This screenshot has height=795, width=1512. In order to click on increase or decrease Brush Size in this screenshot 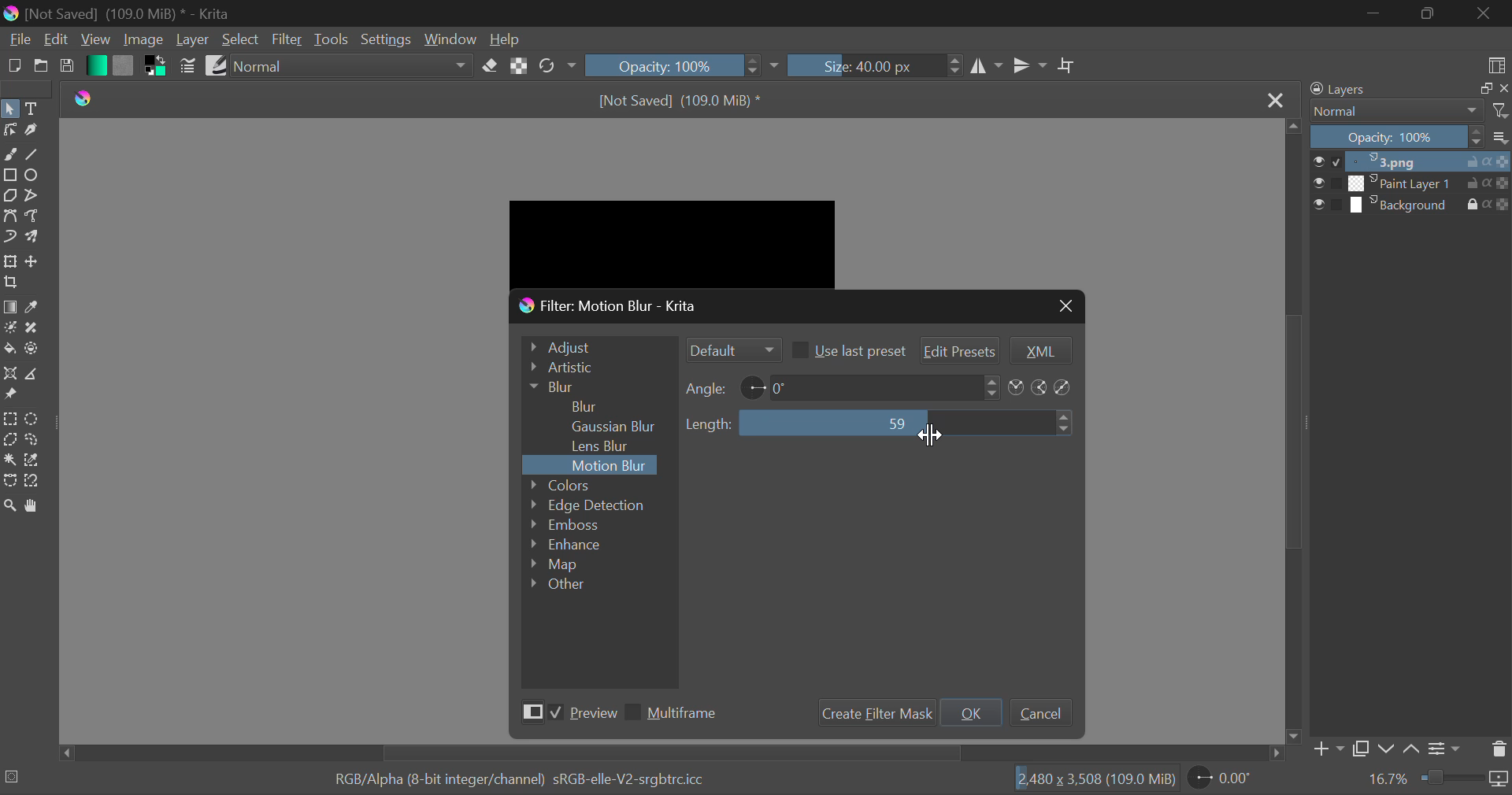, I will do `click(955, 68)`.